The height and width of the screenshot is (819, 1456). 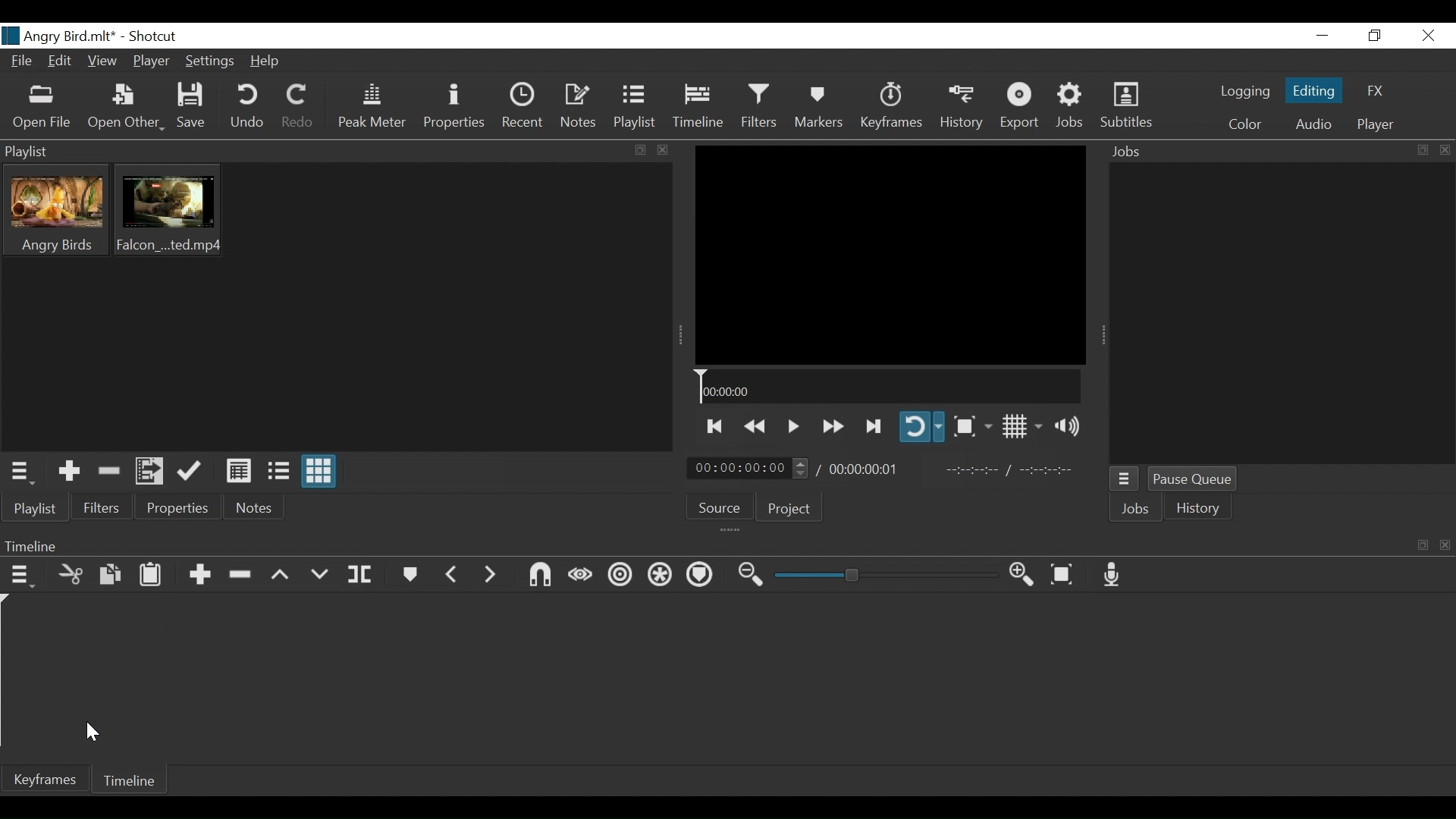 What do you see at coordinates (833, 427) in the screenshot?
I see `Play forward quickly` at bounding box center [833, 427].